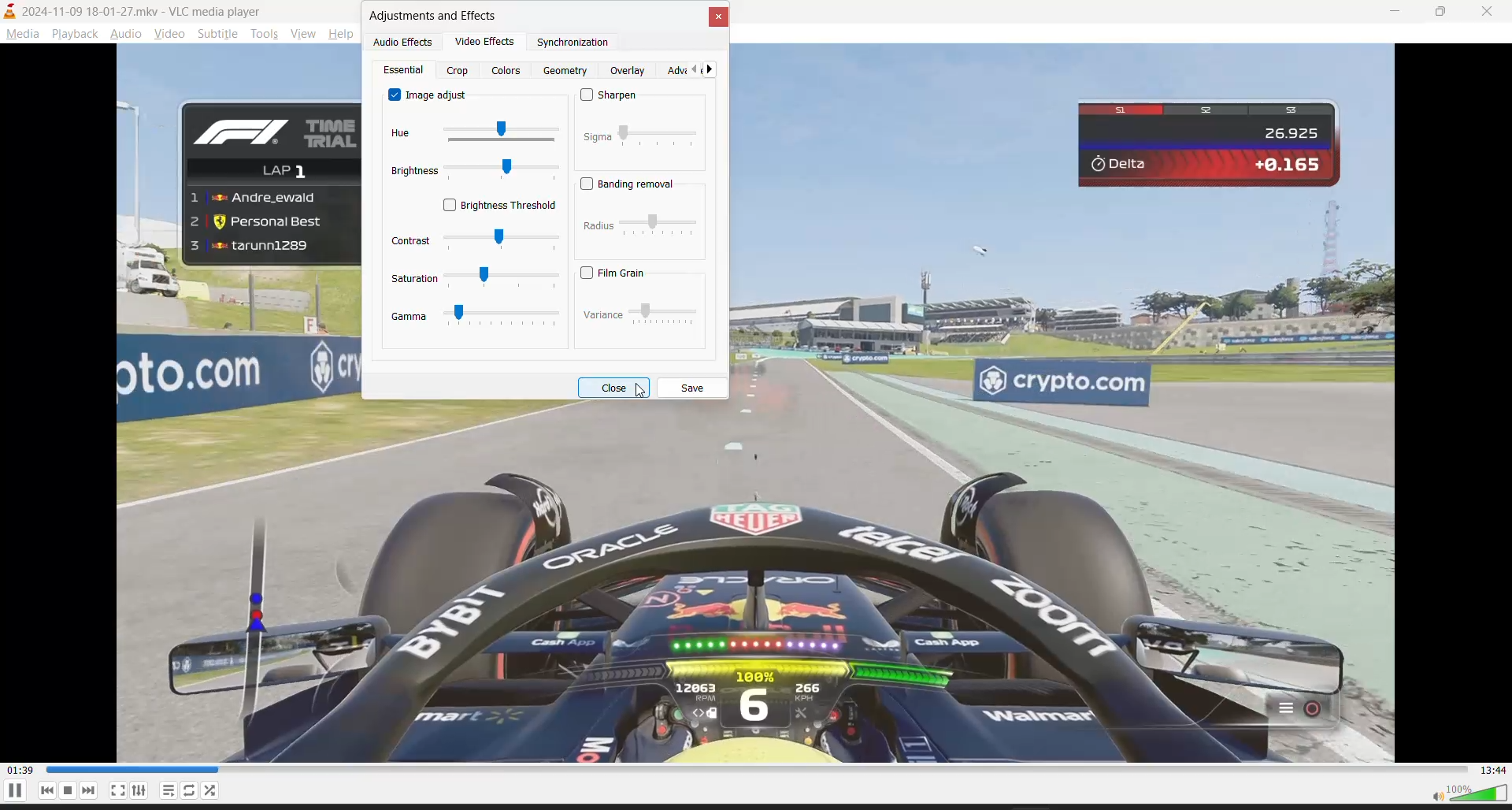 This screenshot has width=1512, height=810. I want to click on previous, so click(693, 69).